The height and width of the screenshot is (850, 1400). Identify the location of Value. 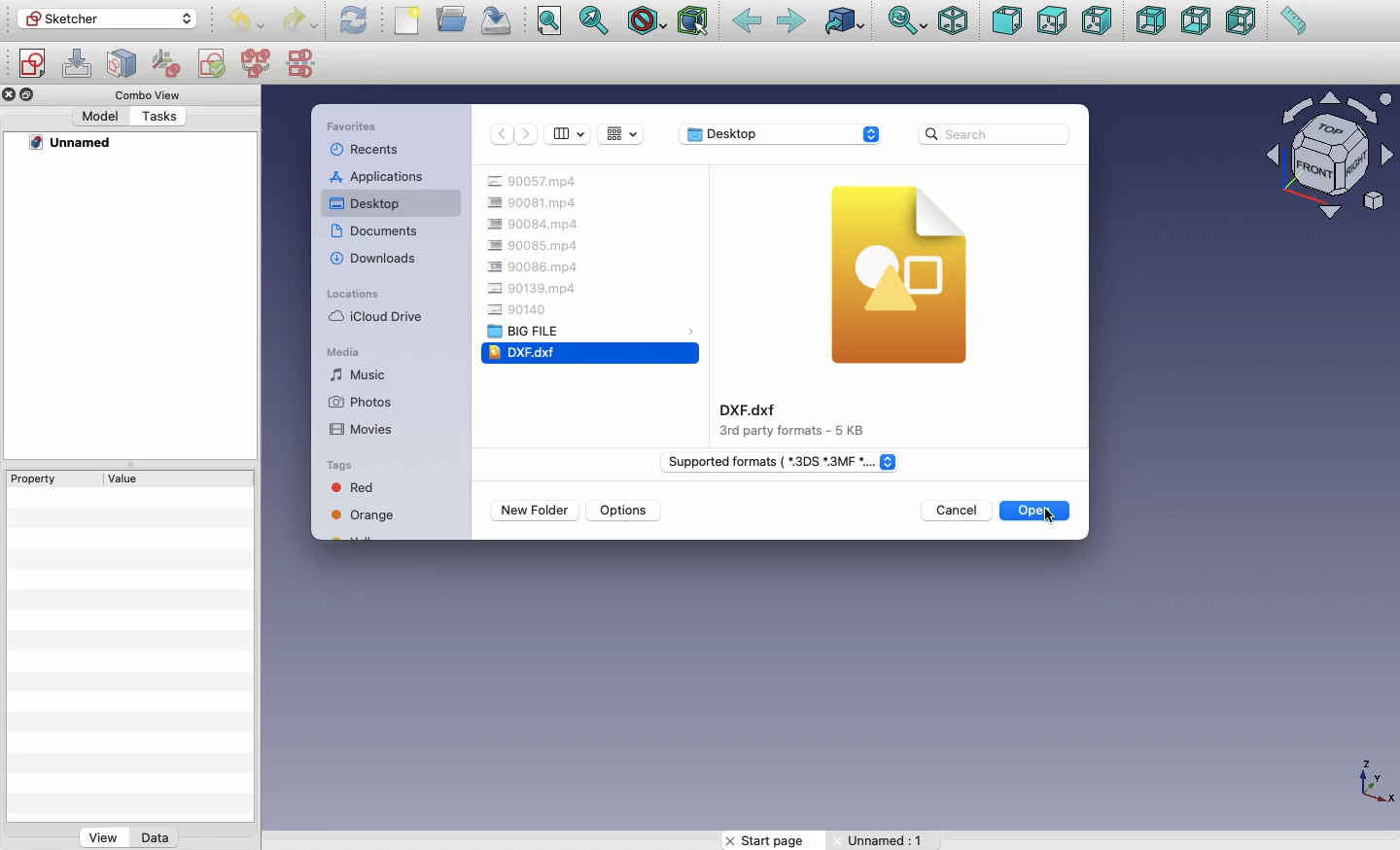
(130, 478).